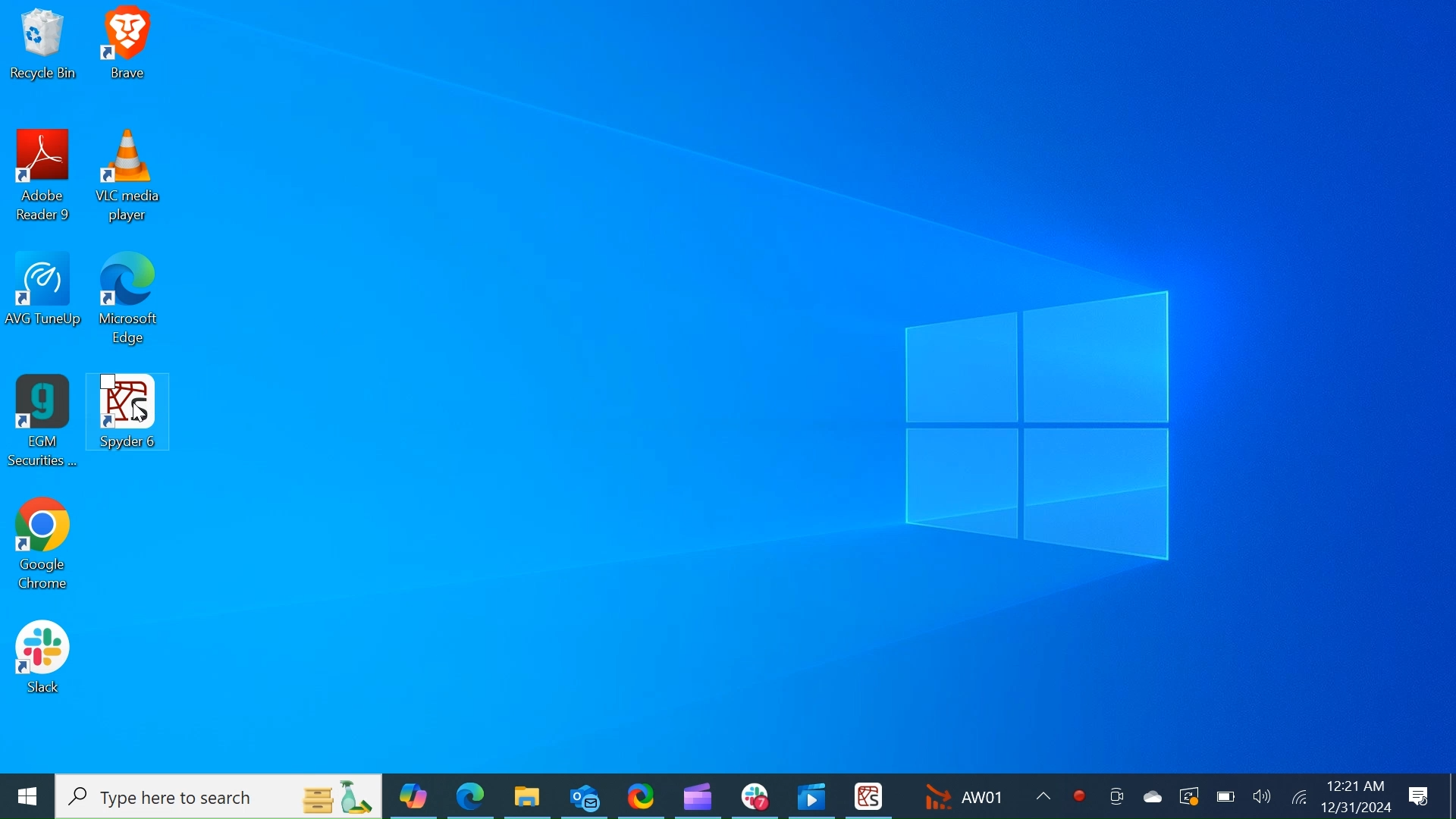 This screenshot has height=819, width=1456. Describe the element at coordinates (1079, 795) in the screenshot. I see `Record` at that location.